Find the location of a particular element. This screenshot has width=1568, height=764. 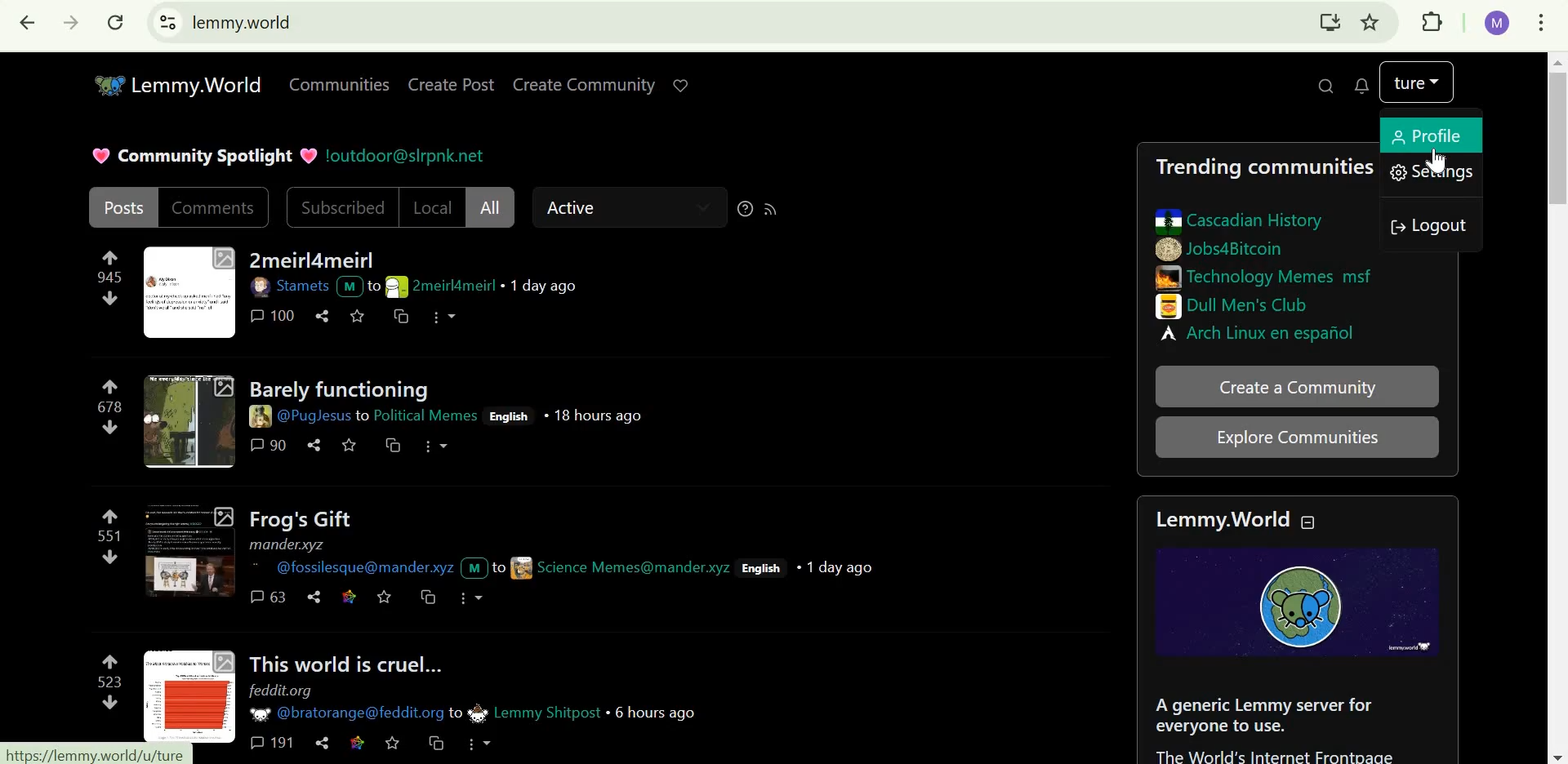

551 points is located at coordinates (106, 536).